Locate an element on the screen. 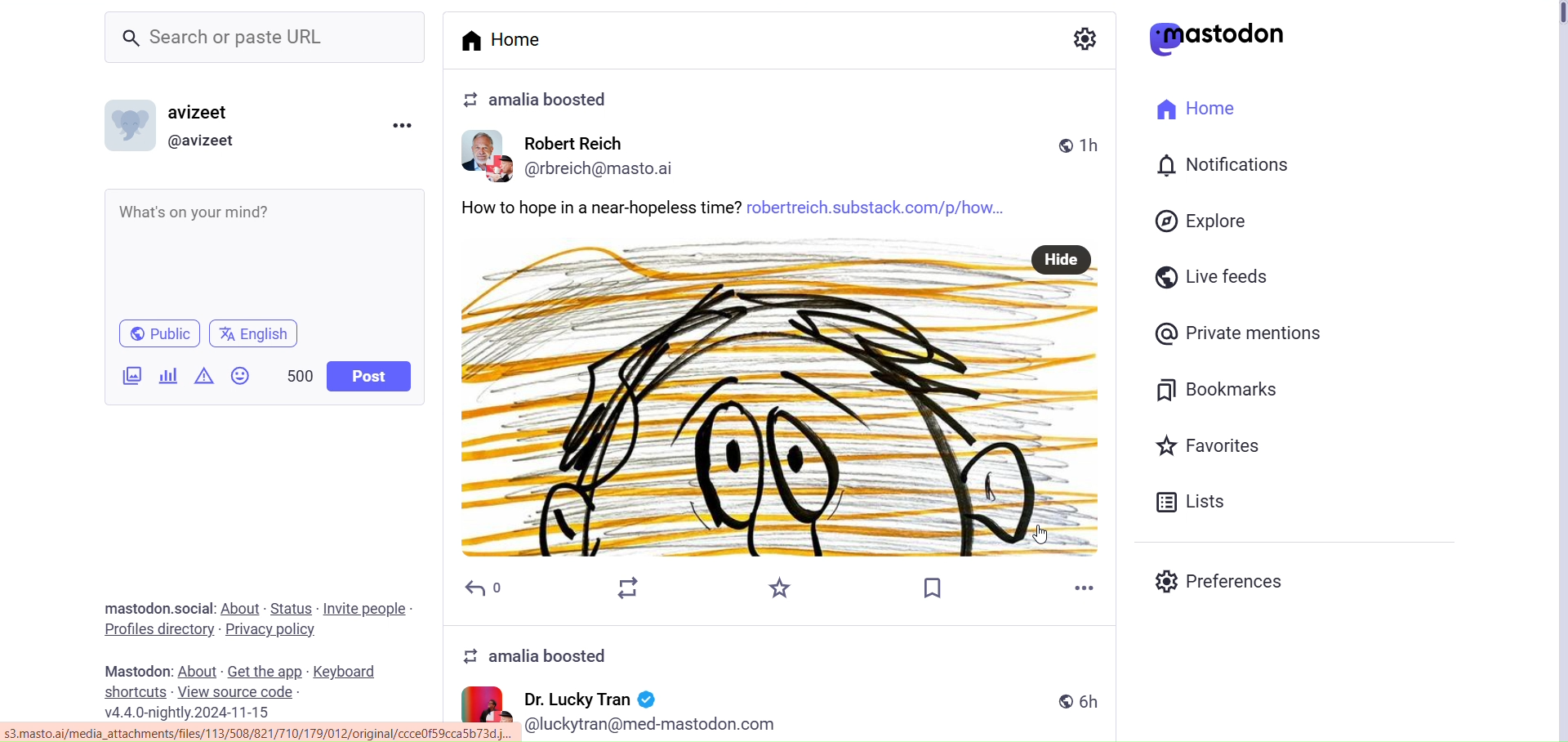 The width and height of the screenshot is (1568, 742). profile image is located at coordinates (488, 703).